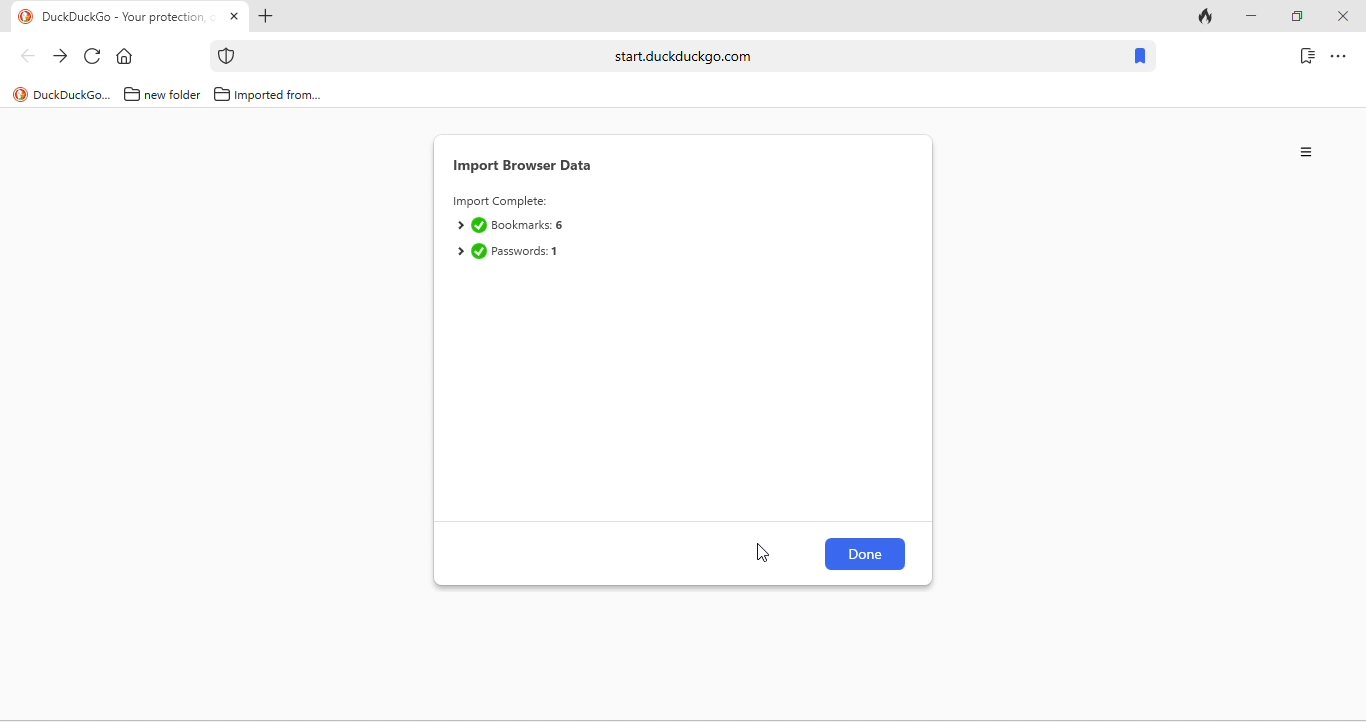  I want to click on icon, so click(20, 95).